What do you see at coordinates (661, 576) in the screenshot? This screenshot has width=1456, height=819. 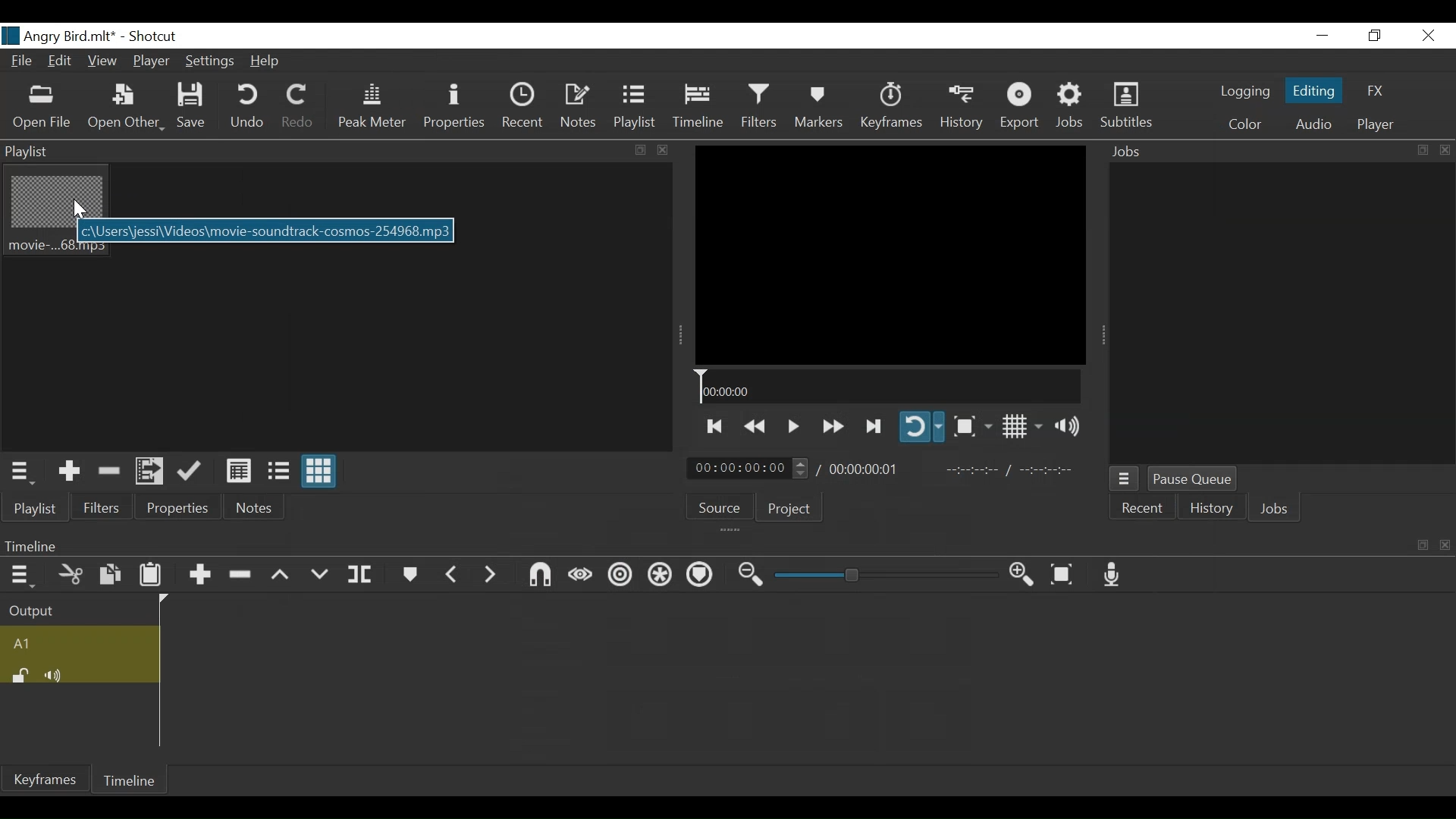 I see `Ripple all tracks` at bounding box center [661, 576].